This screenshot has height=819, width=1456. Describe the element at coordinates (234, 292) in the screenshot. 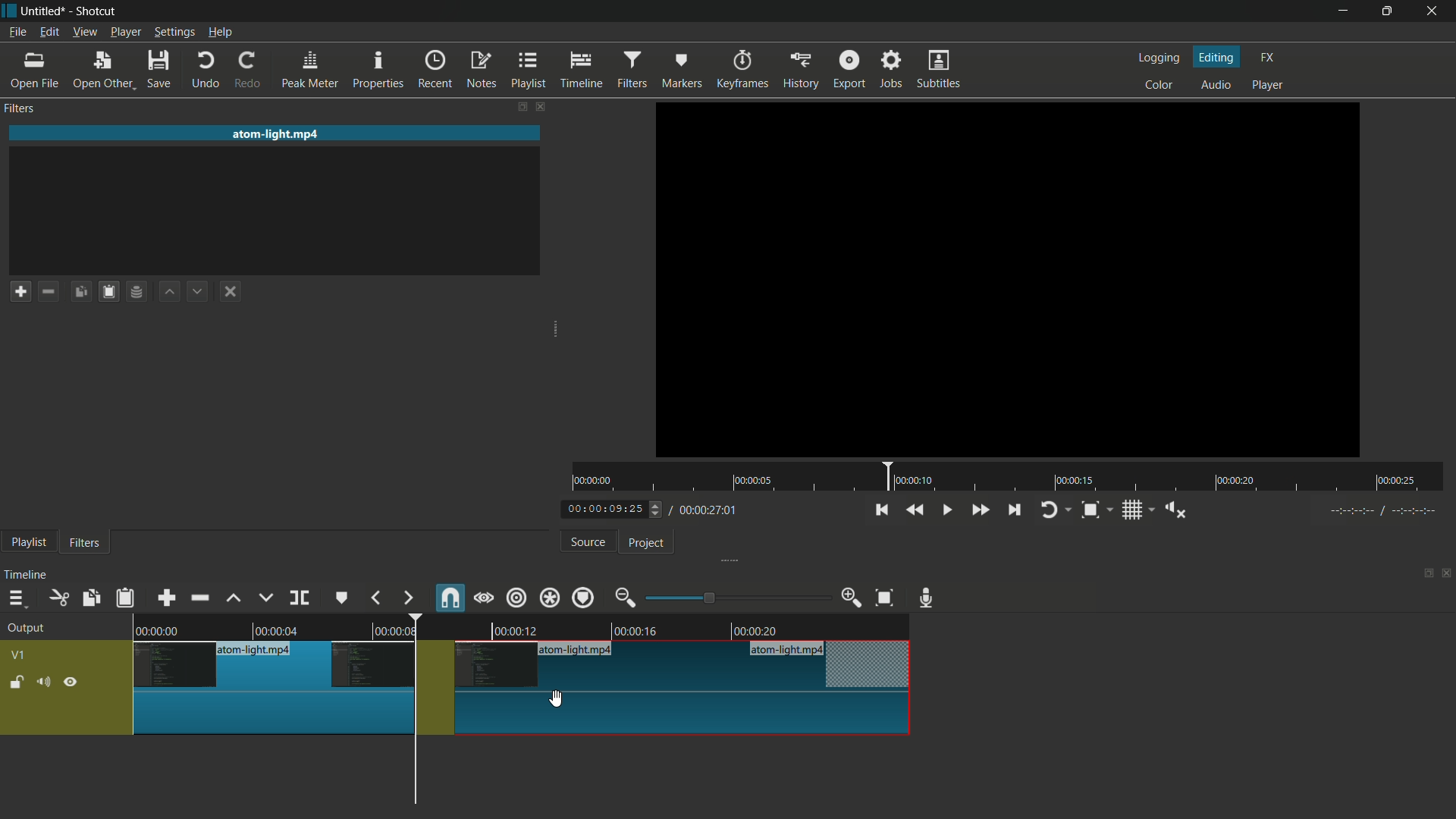

I see `deselect the filter` at that location.